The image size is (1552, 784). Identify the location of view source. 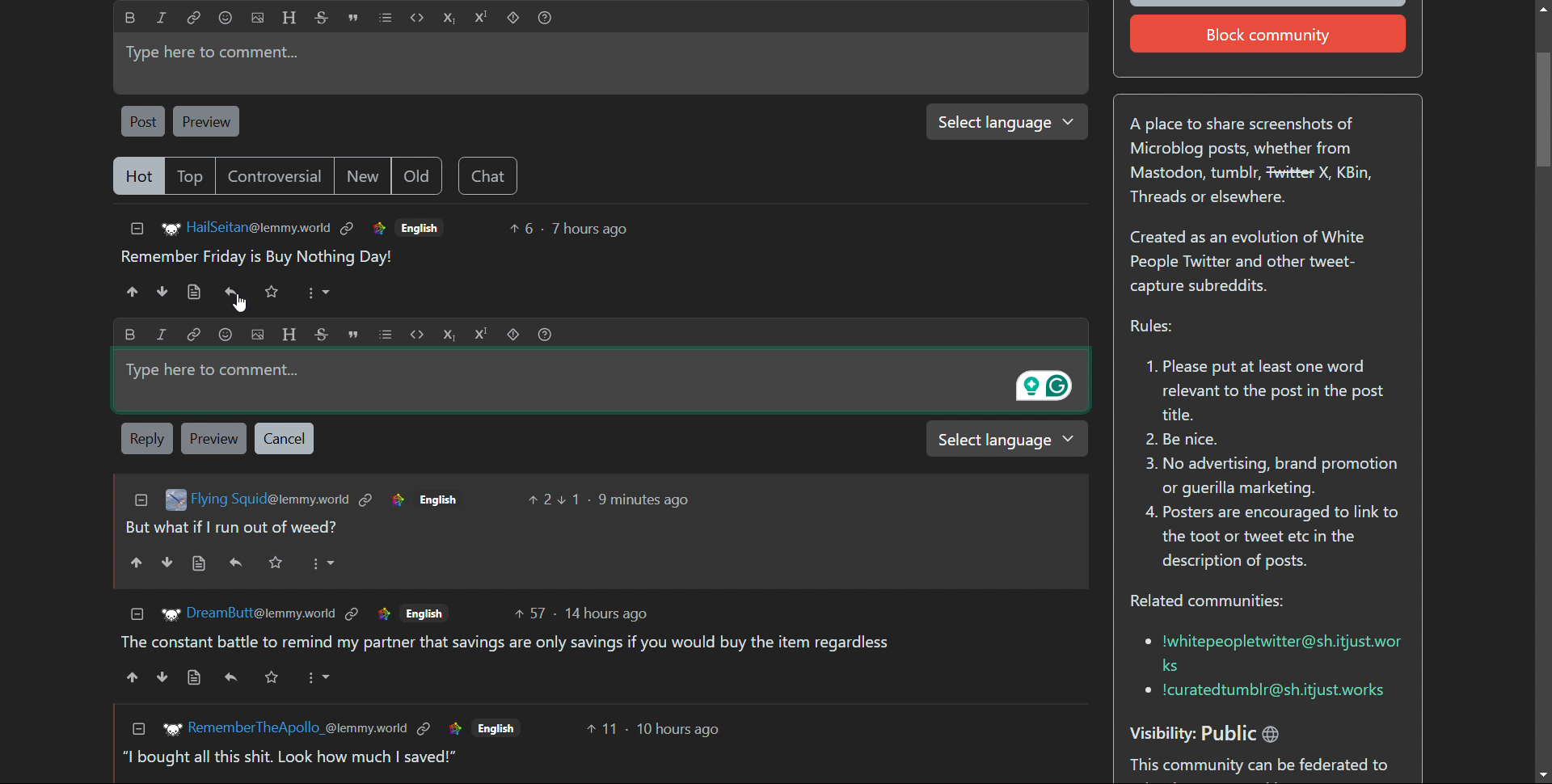
(188, 678).